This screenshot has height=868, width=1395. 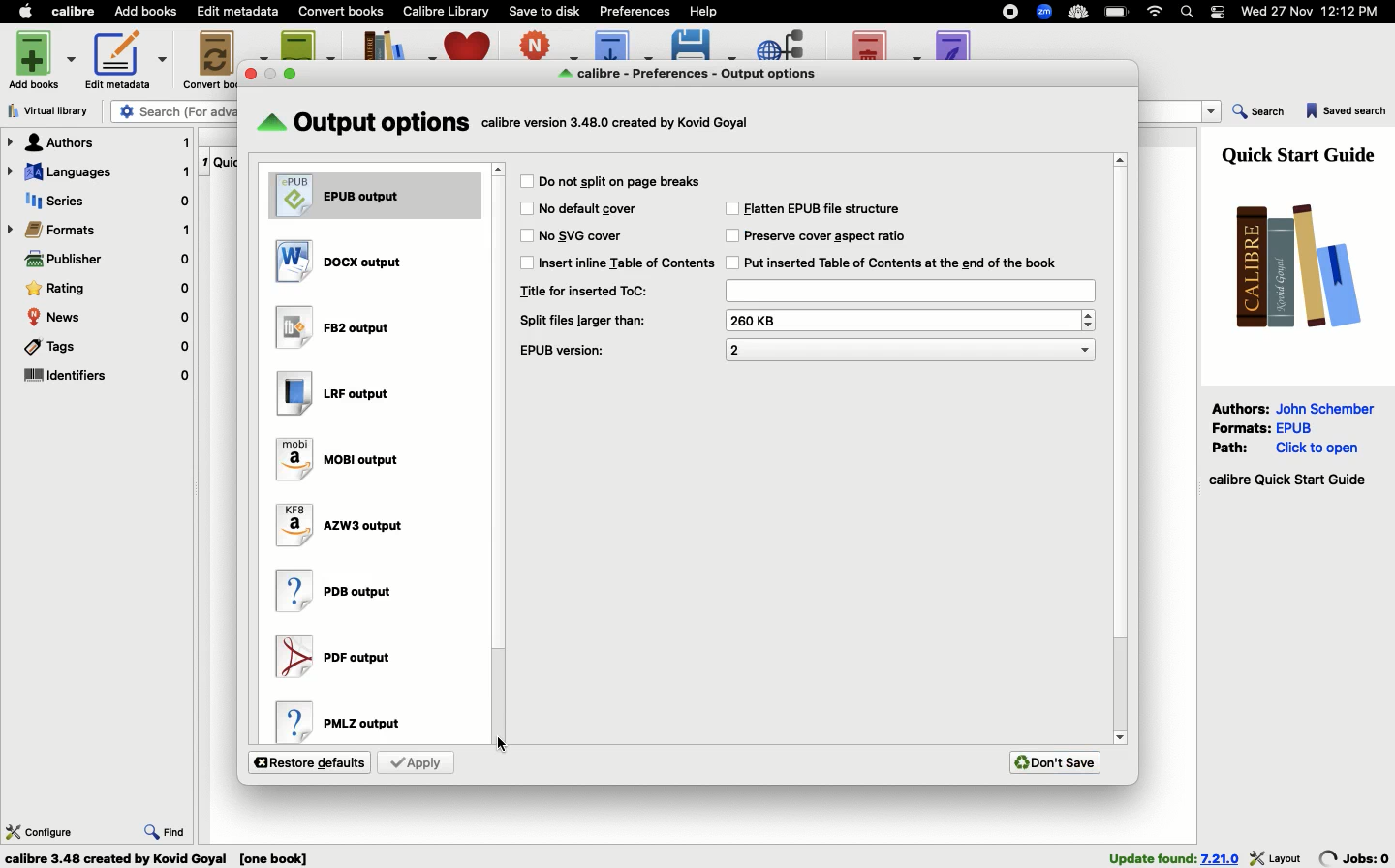 What do you see at coordinates (239, 12) in the screenshot?
I see `Edit metadata` at bounding box center [239, 12].